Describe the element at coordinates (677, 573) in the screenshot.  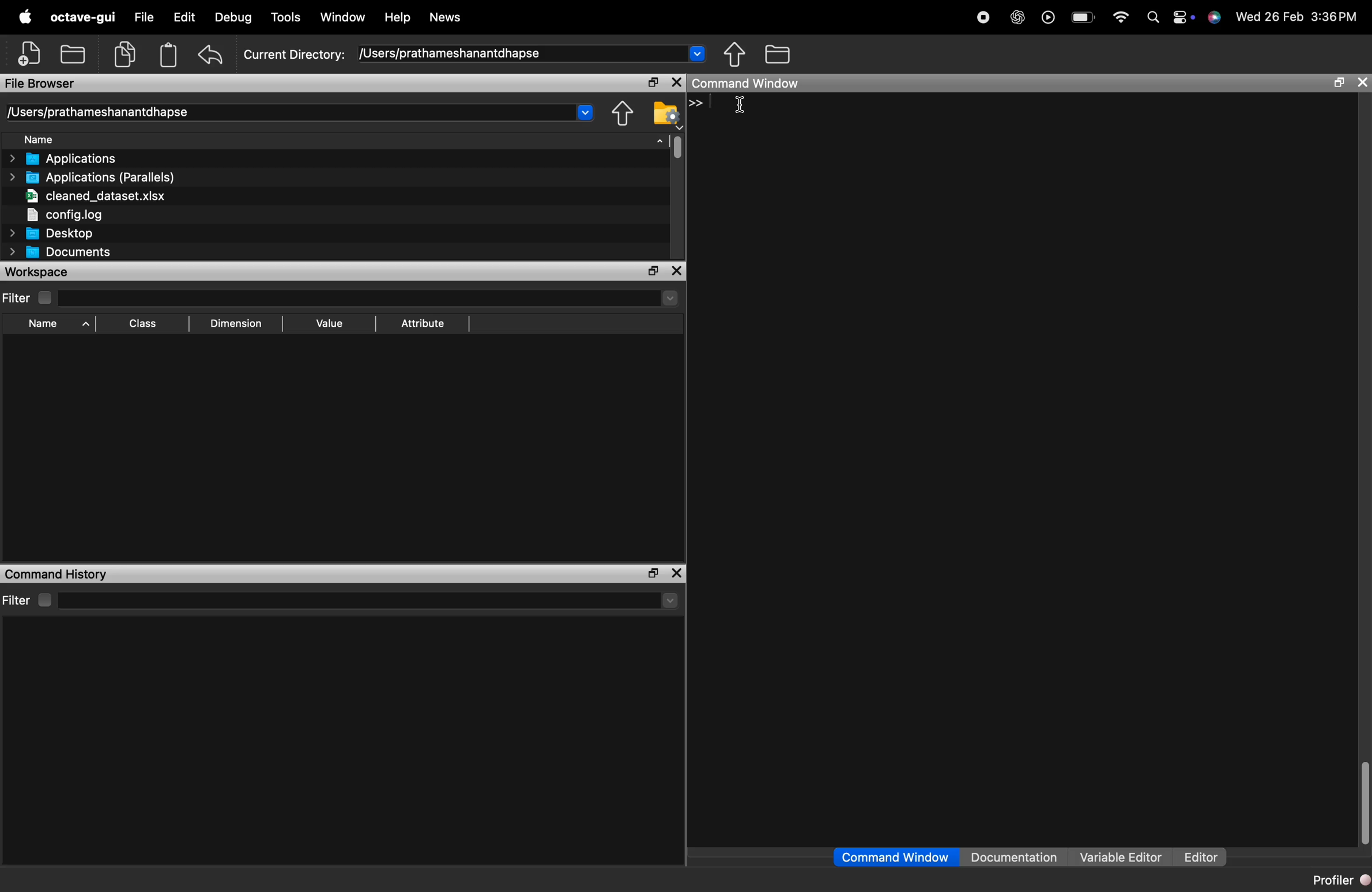
I see `close` at that location.